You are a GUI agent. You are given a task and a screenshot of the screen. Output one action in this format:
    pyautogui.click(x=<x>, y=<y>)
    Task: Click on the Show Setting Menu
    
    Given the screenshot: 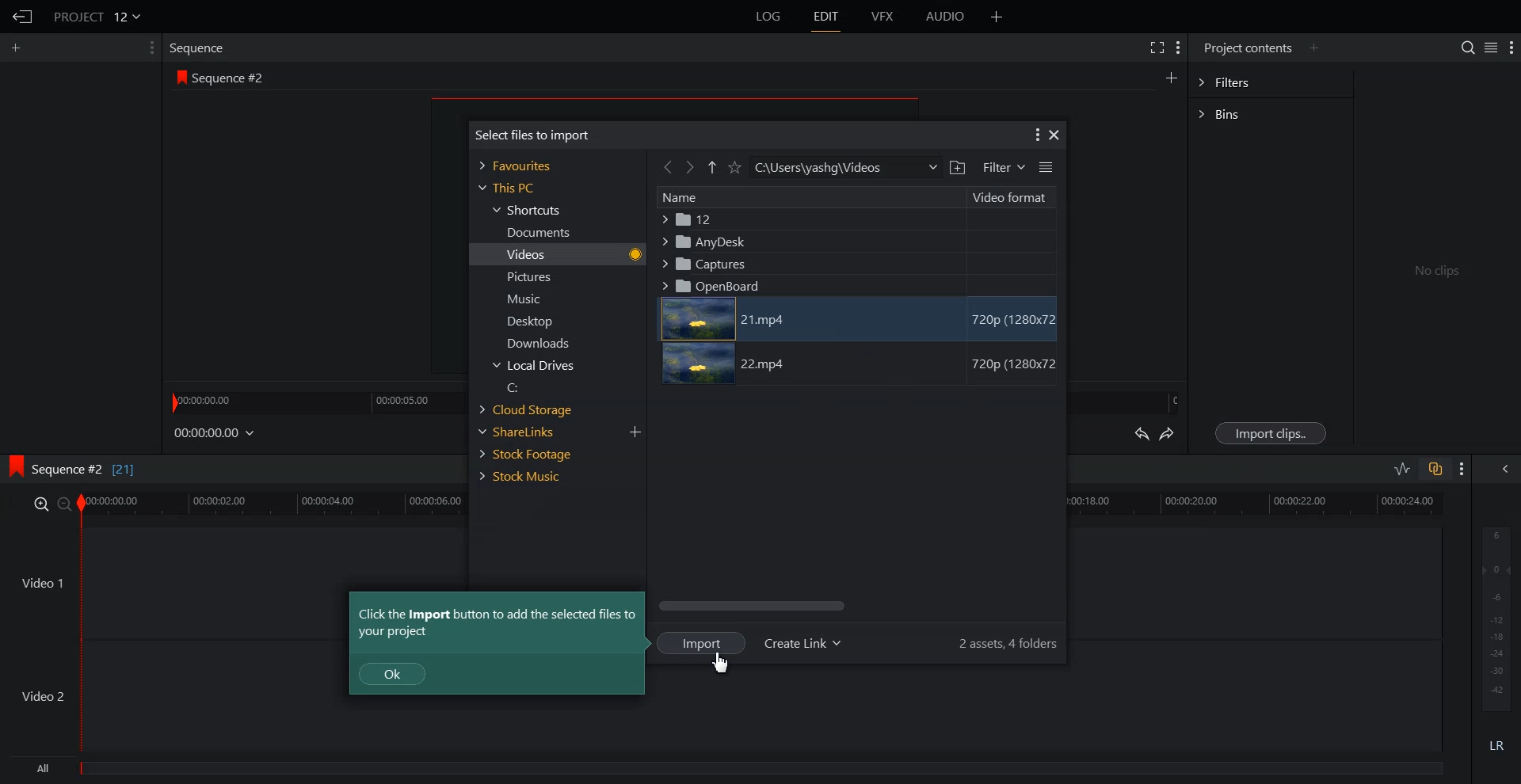 What is the action you would take?
    pyautogui.click(x=1462, y=470)
    